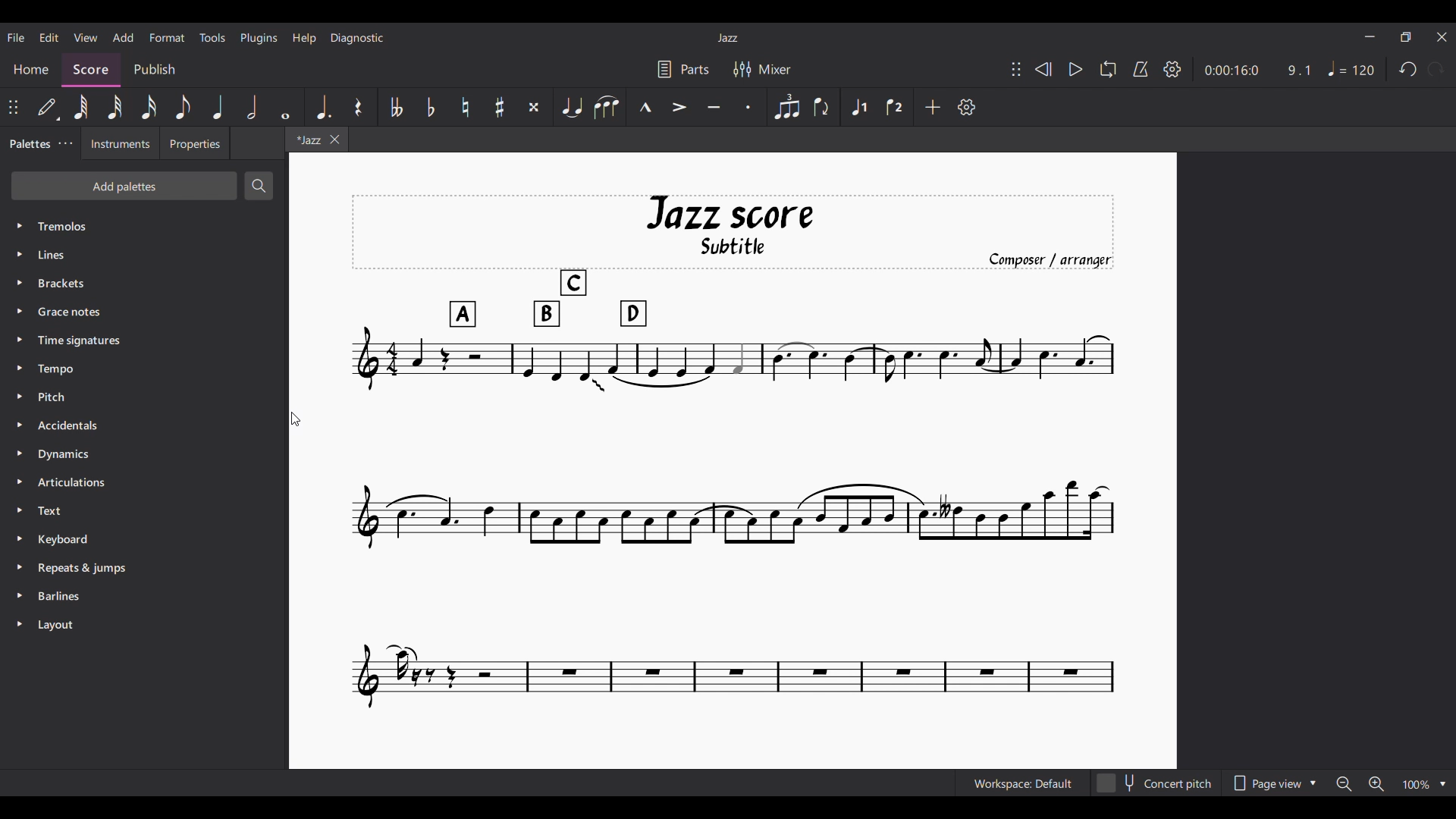 This screenshot has height=819, width=1456. I want to click on Palettes, so click(27, 144).